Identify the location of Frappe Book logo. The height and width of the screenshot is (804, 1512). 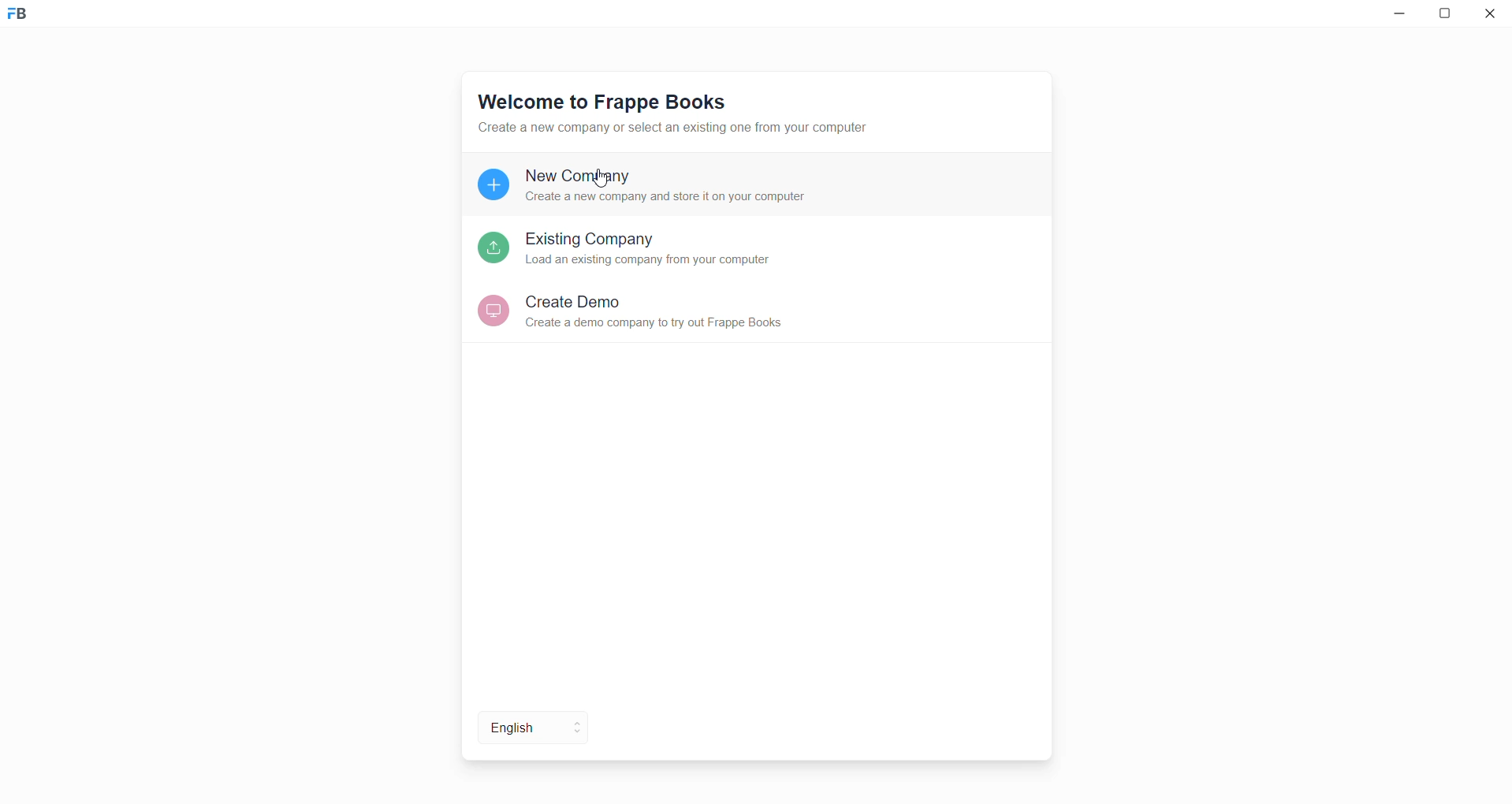
(31, 20).